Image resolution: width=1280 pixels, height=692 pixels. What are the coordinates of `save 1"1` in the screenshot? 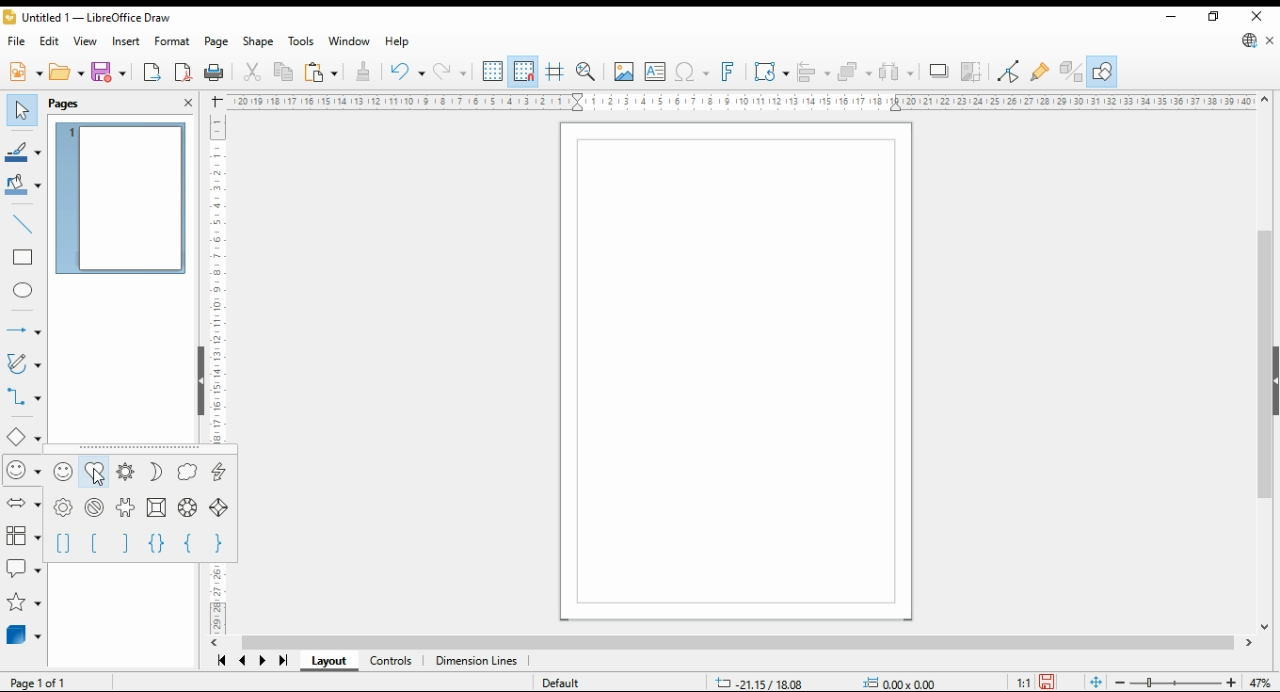 It's located at (1032, 677).